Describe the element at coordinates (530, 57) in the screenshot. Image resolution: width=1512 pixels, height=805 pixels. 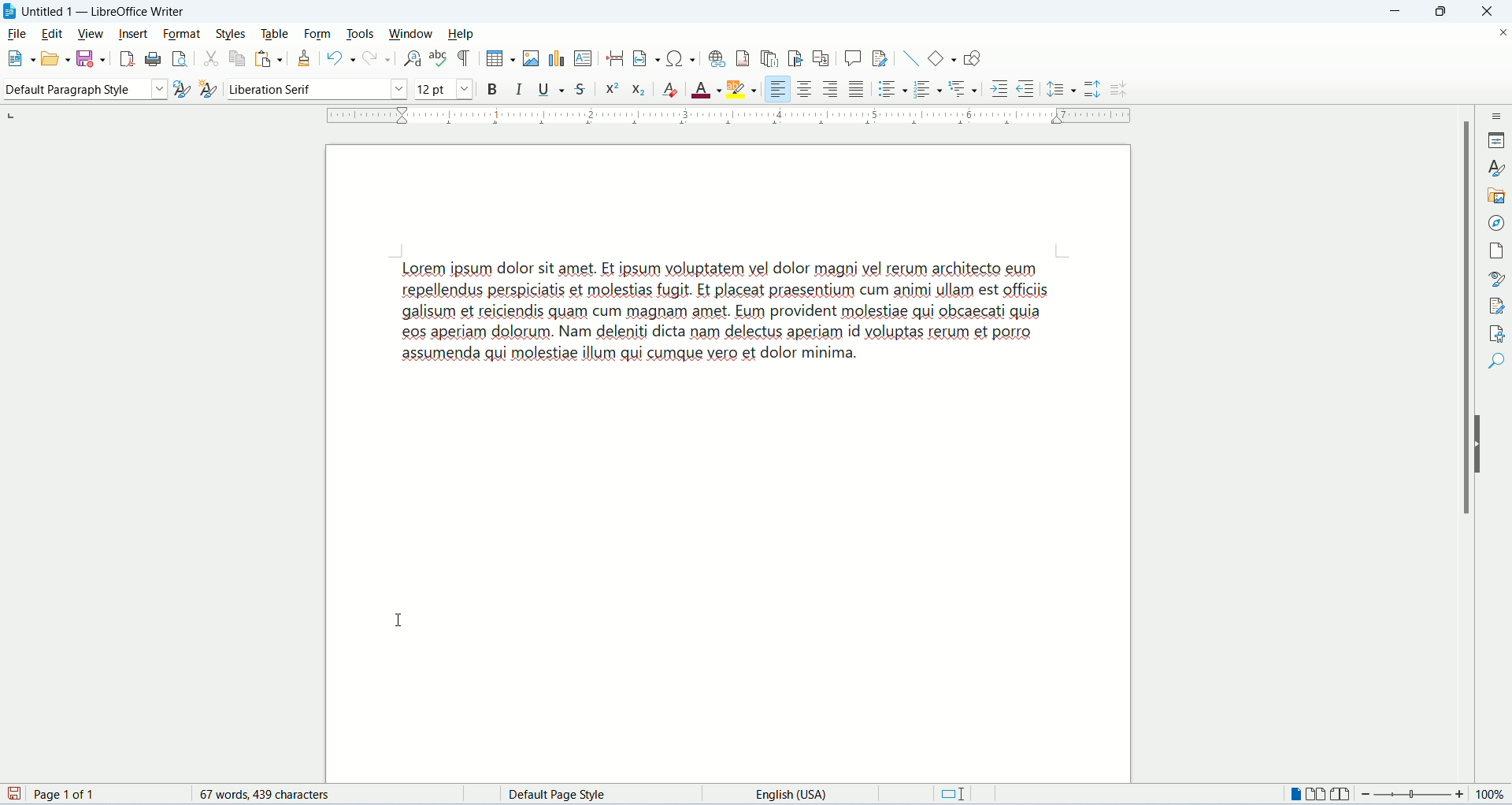
I see `insert image` at that location.